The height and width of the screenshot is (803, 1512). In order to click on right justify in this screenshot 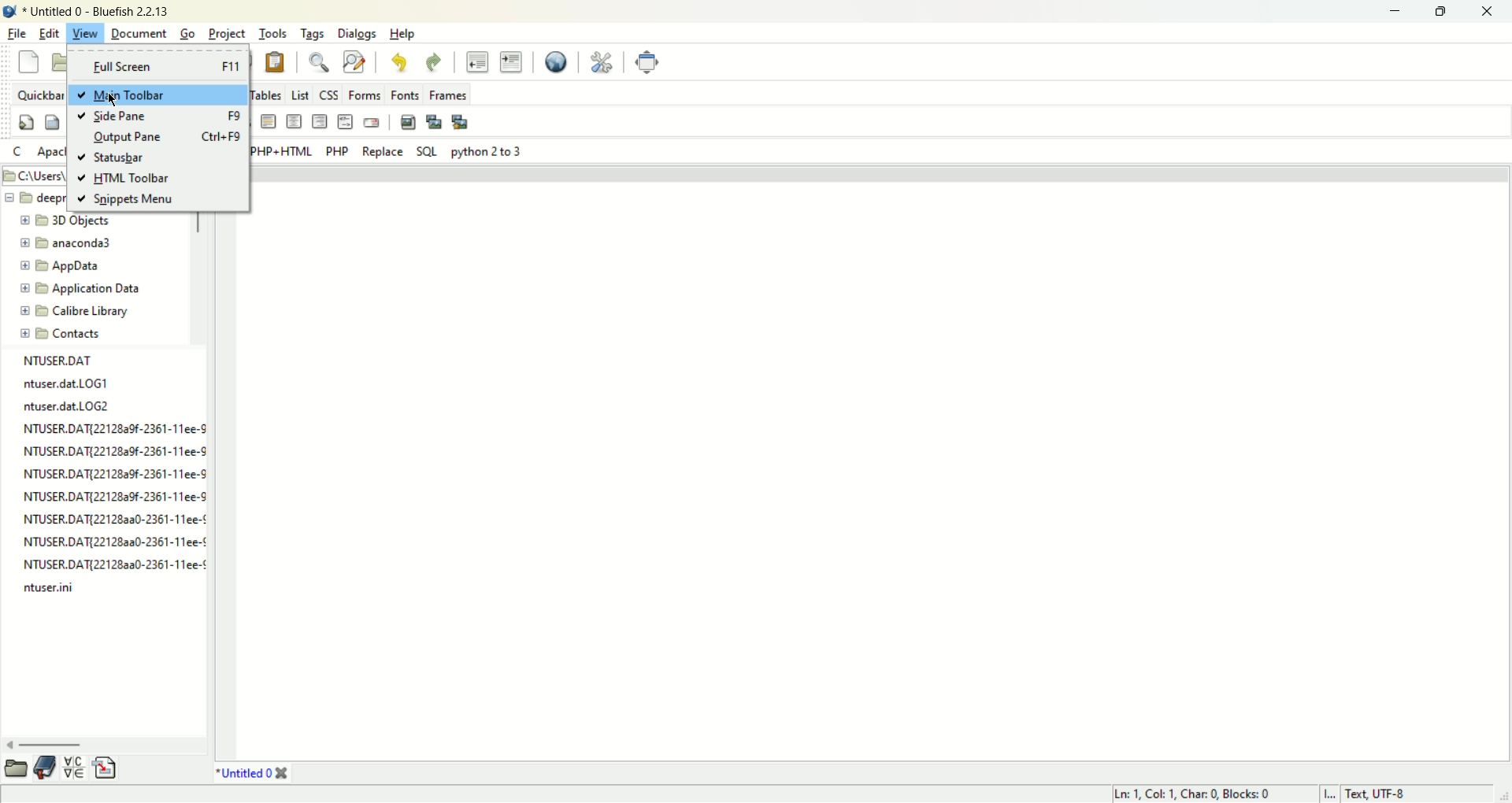, I will do `click(321, 120)`.